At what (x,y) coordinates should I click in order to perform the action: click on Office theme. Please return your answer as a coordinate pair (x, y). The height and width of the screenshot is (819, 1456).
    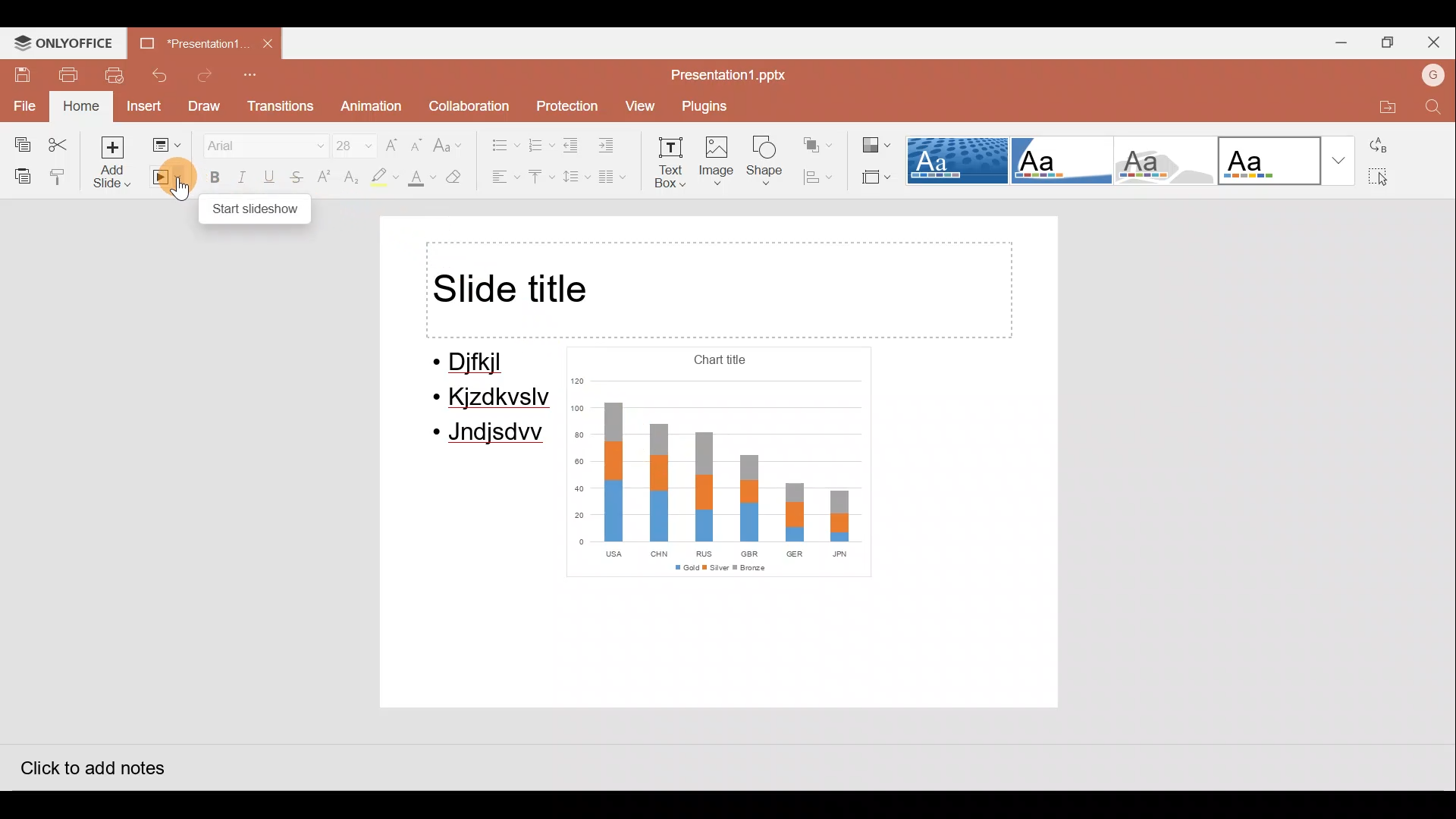
    Looking at the image, I should click on (1288, 161).